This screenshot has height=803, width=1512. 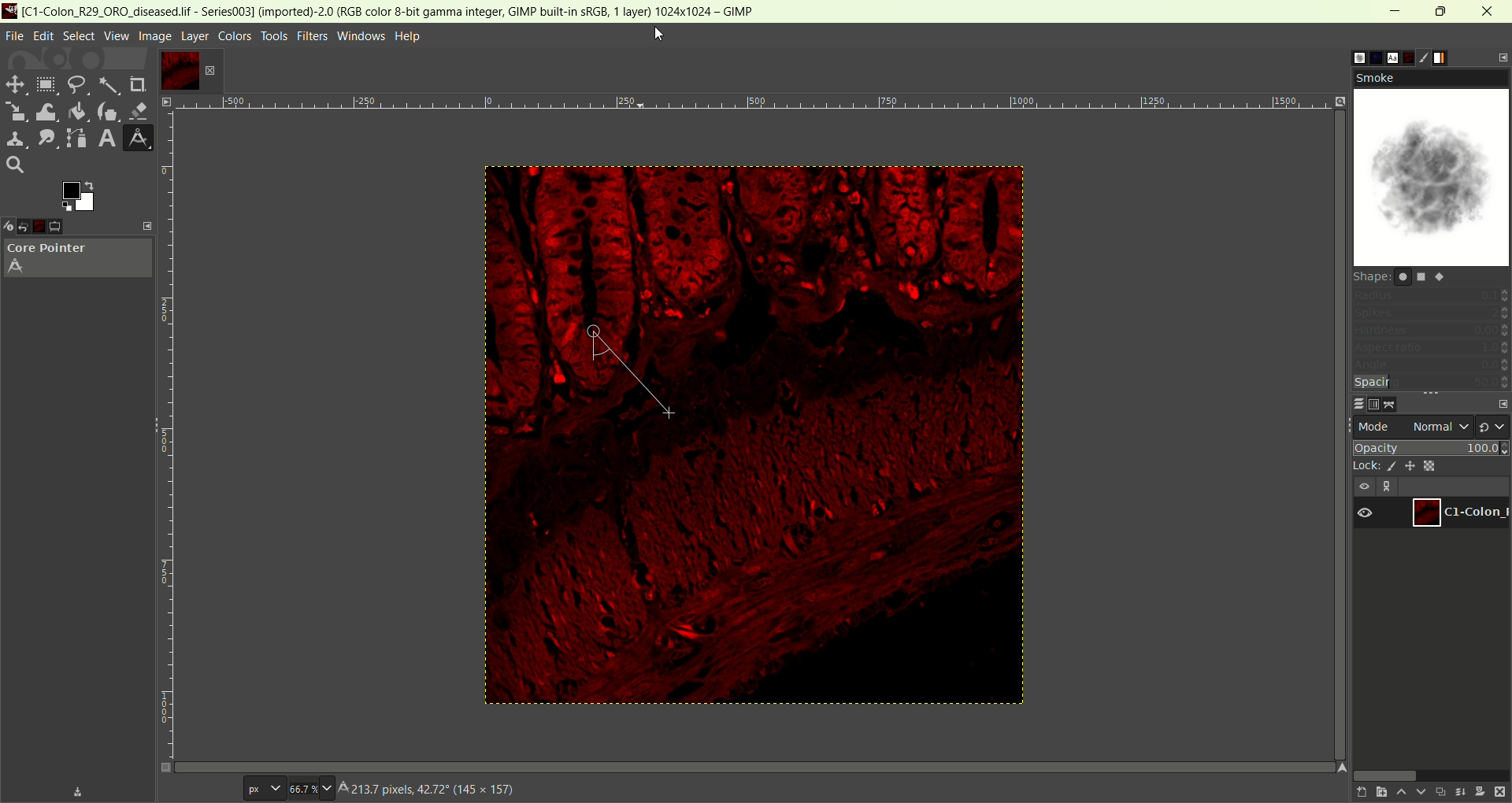 What do you see at coordinates (1458, 513) in the screenshot?
I see `layer1` at bounding box center [1458, 513].